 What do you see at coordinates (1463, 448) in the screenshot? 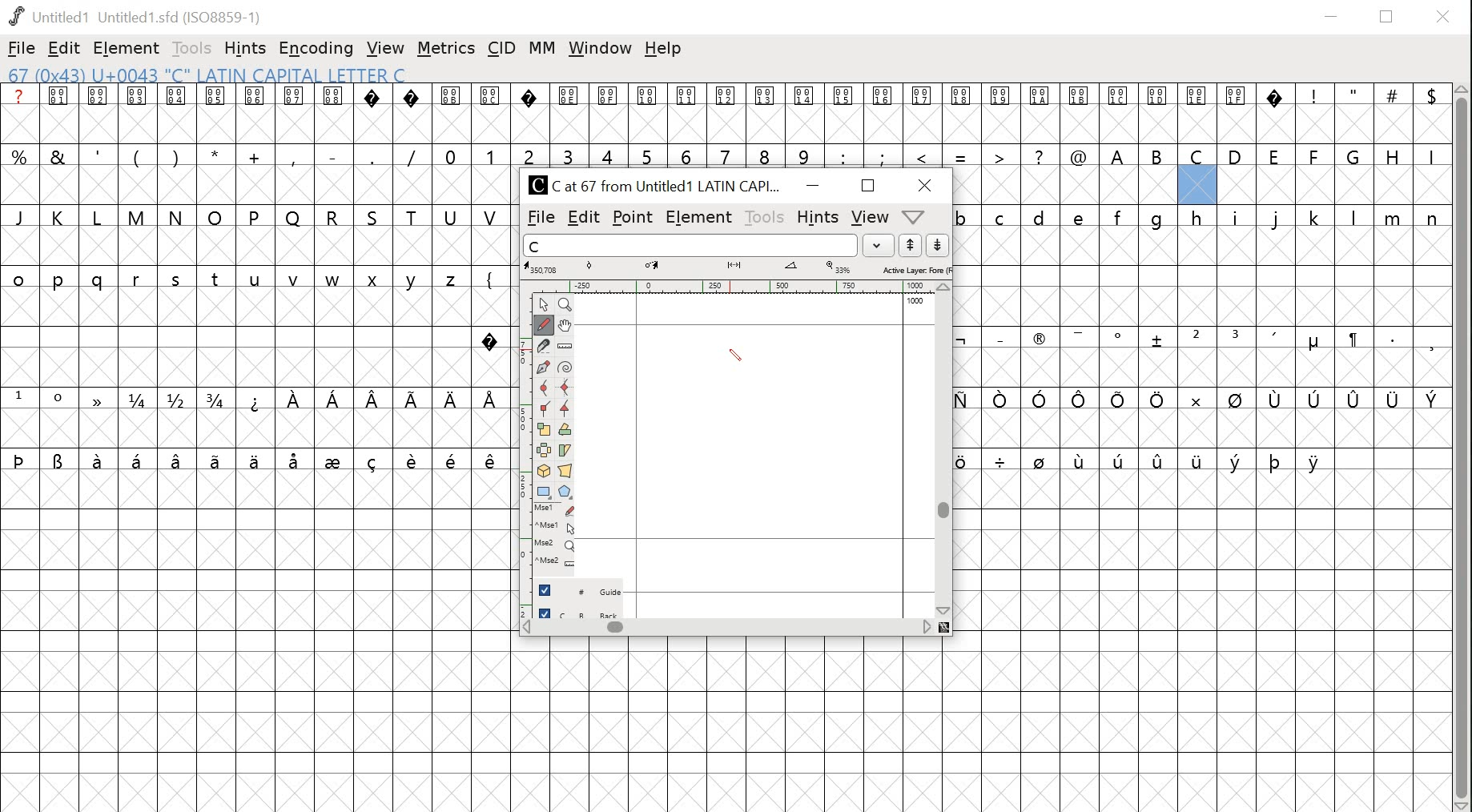
I see `scrollbar` at bounding box center [1463, 448].